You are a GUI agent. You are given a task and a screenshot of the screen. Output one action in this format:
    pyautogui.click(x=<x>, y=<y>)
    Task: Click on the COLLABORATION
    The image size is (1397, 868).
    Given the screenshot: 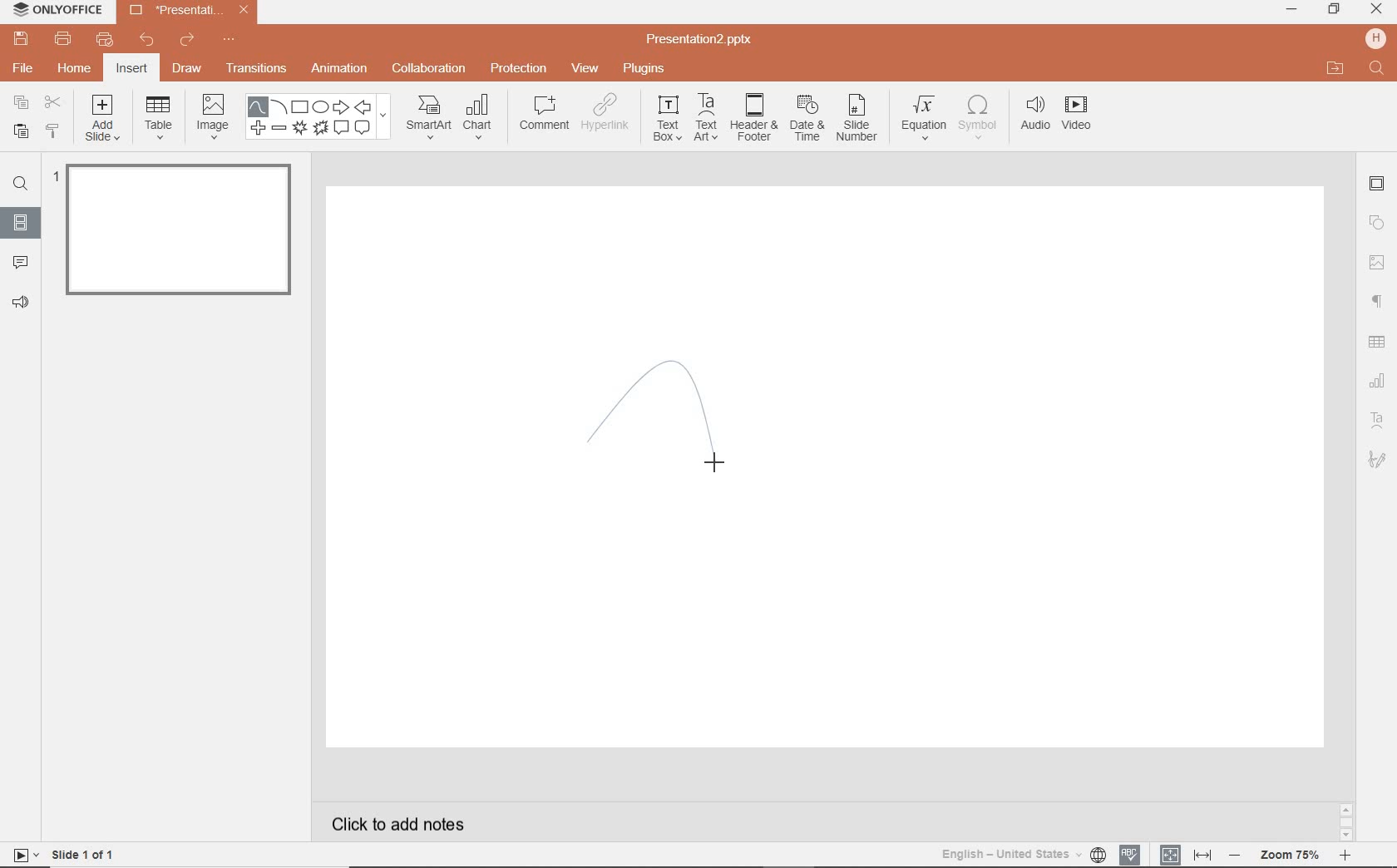 What is the action you would take?
    pyautogui.click(x=429, y=67)
    